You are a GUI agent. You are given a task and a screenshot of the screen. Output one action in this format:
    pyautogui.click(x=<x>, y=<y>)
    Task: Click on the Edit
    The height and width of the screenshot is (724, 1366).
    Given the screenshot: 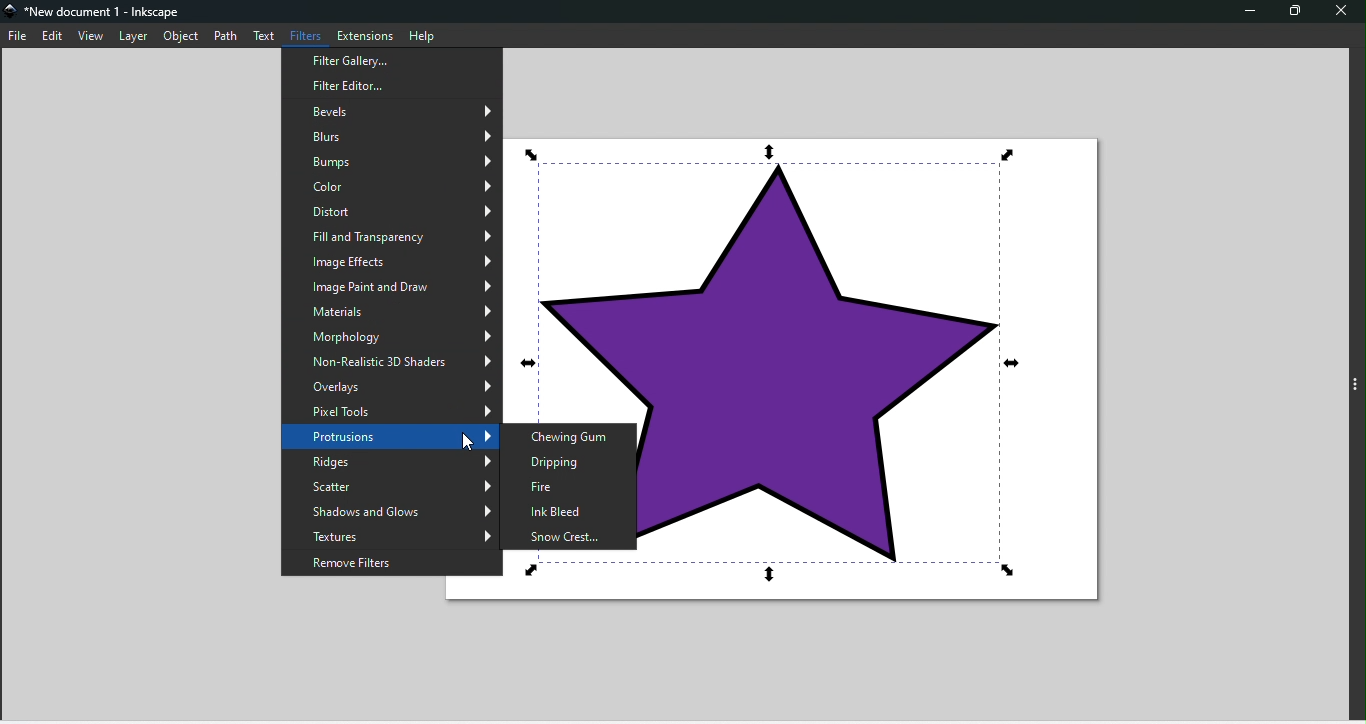 What is the action you would take?
    pyautogui.click(x=54, y=36)
    